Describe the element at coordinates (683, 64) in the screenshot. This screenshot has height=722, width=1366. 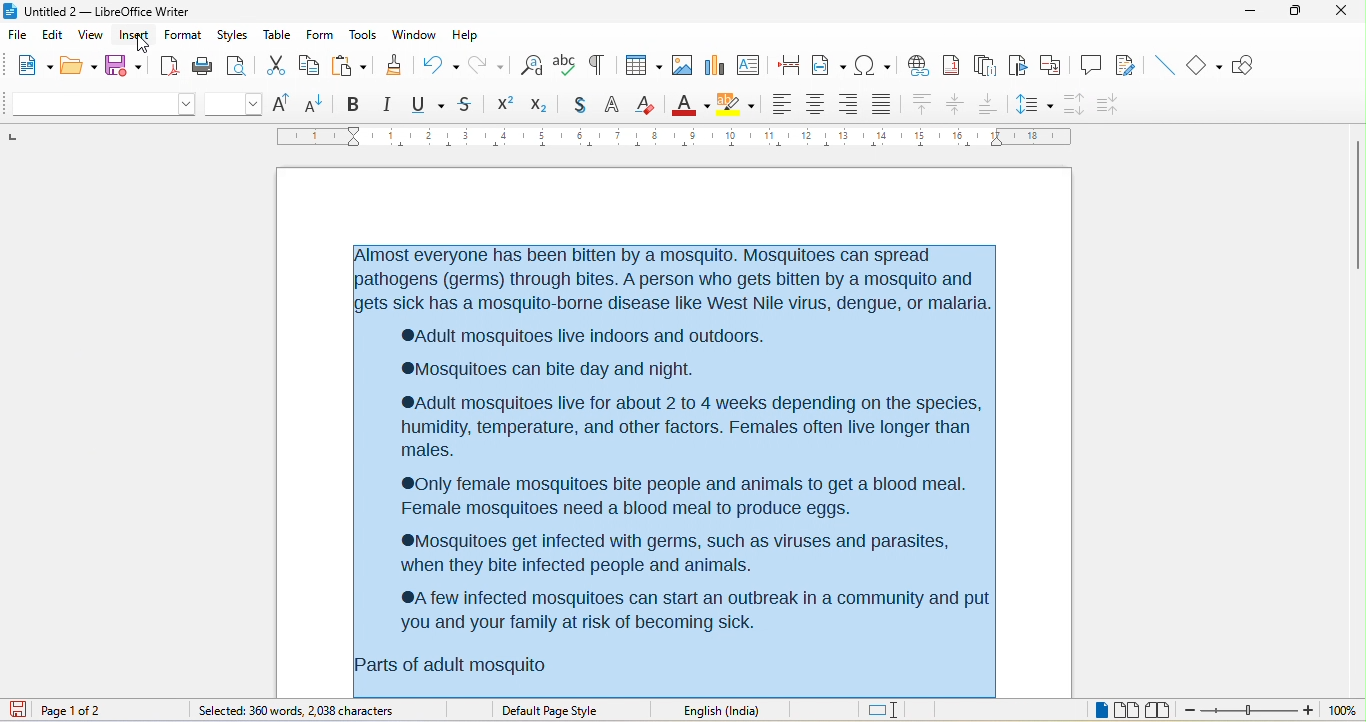
I see `image` at that location.